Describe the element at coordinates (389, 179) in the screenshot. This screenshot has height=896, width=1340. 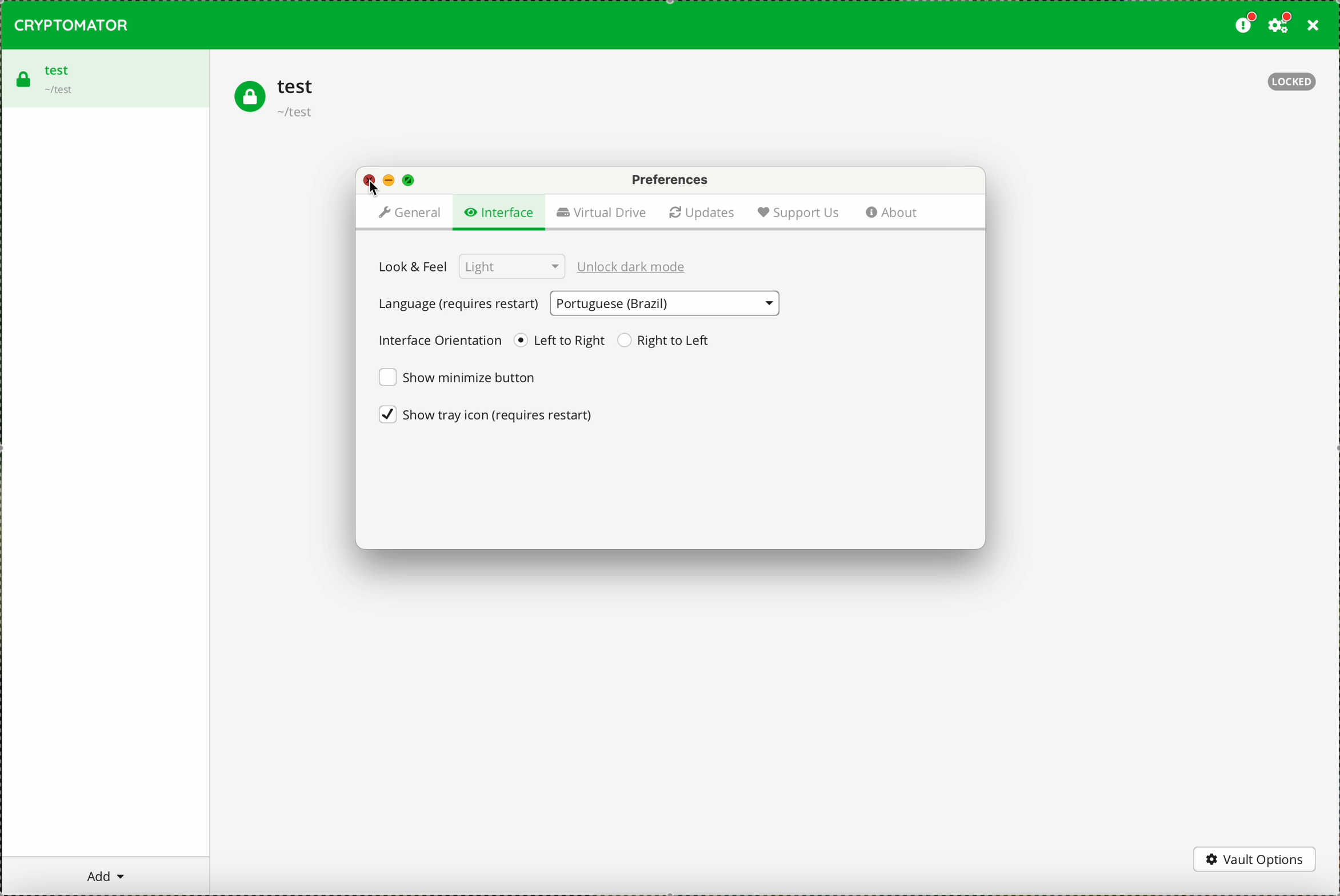
I see `minimize` at that location.